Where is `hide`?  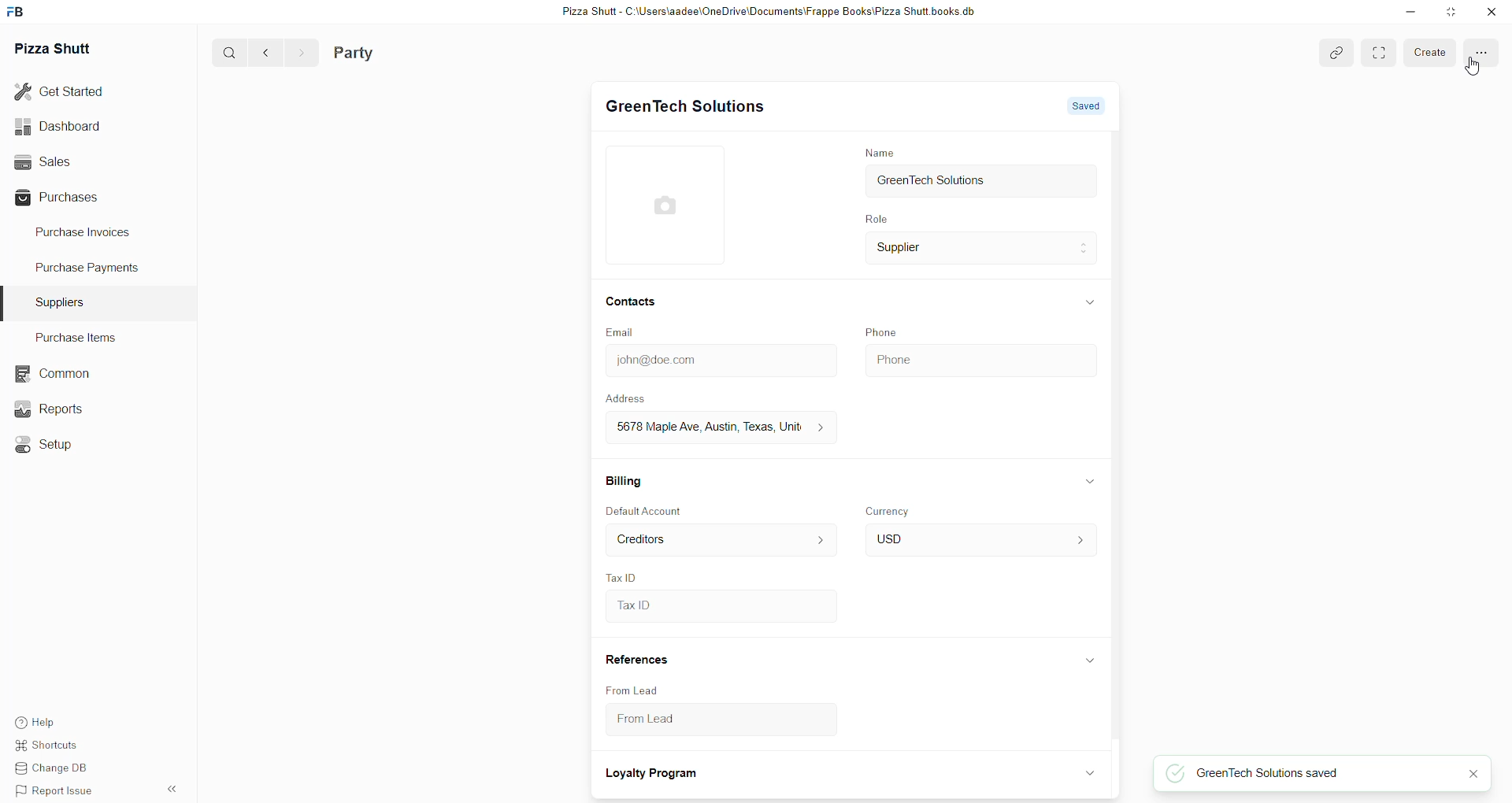 hide is located at coordinates (1087, 772).